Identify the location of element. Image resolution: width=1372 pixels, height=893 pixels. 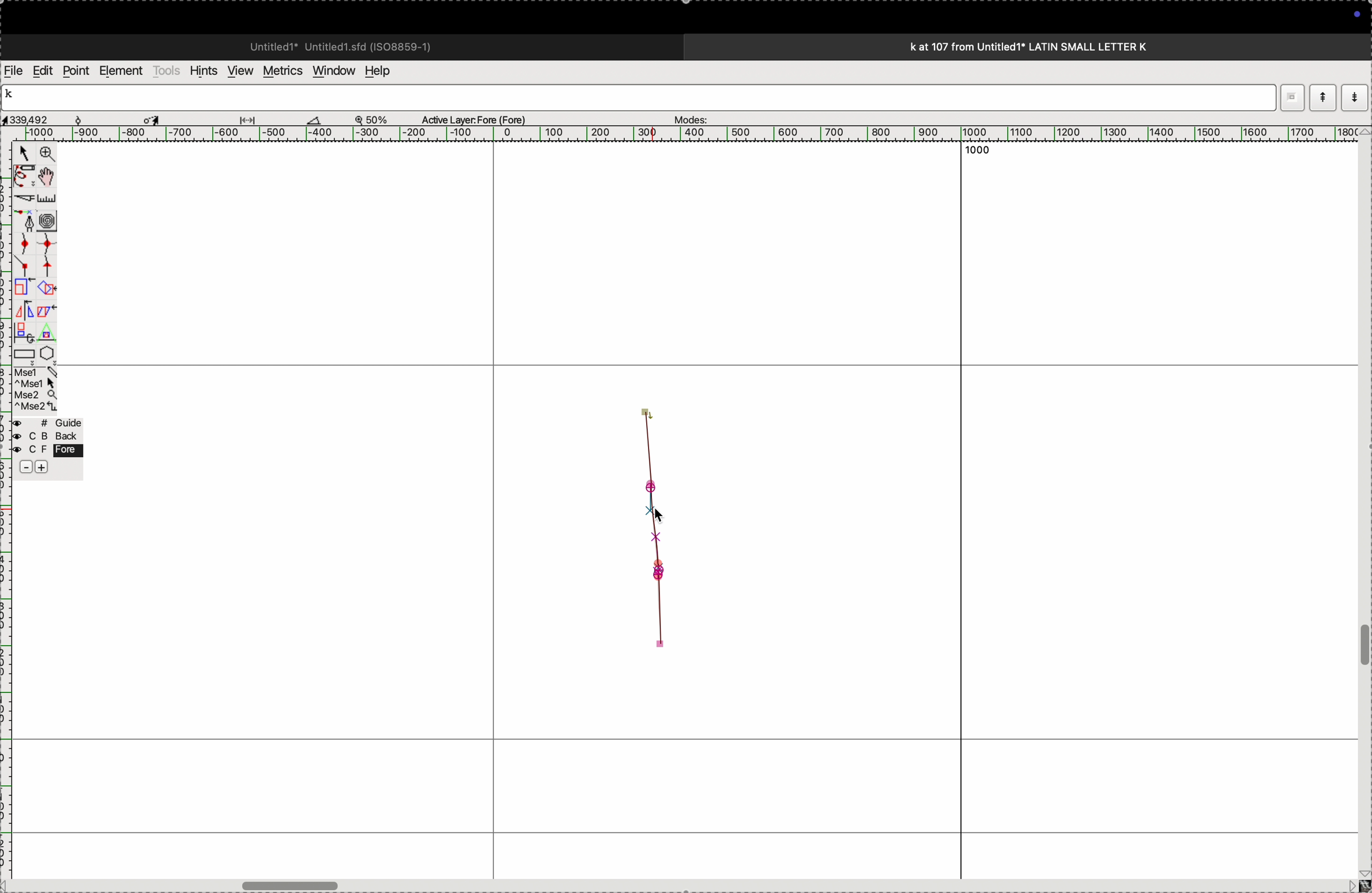
(122, 71).